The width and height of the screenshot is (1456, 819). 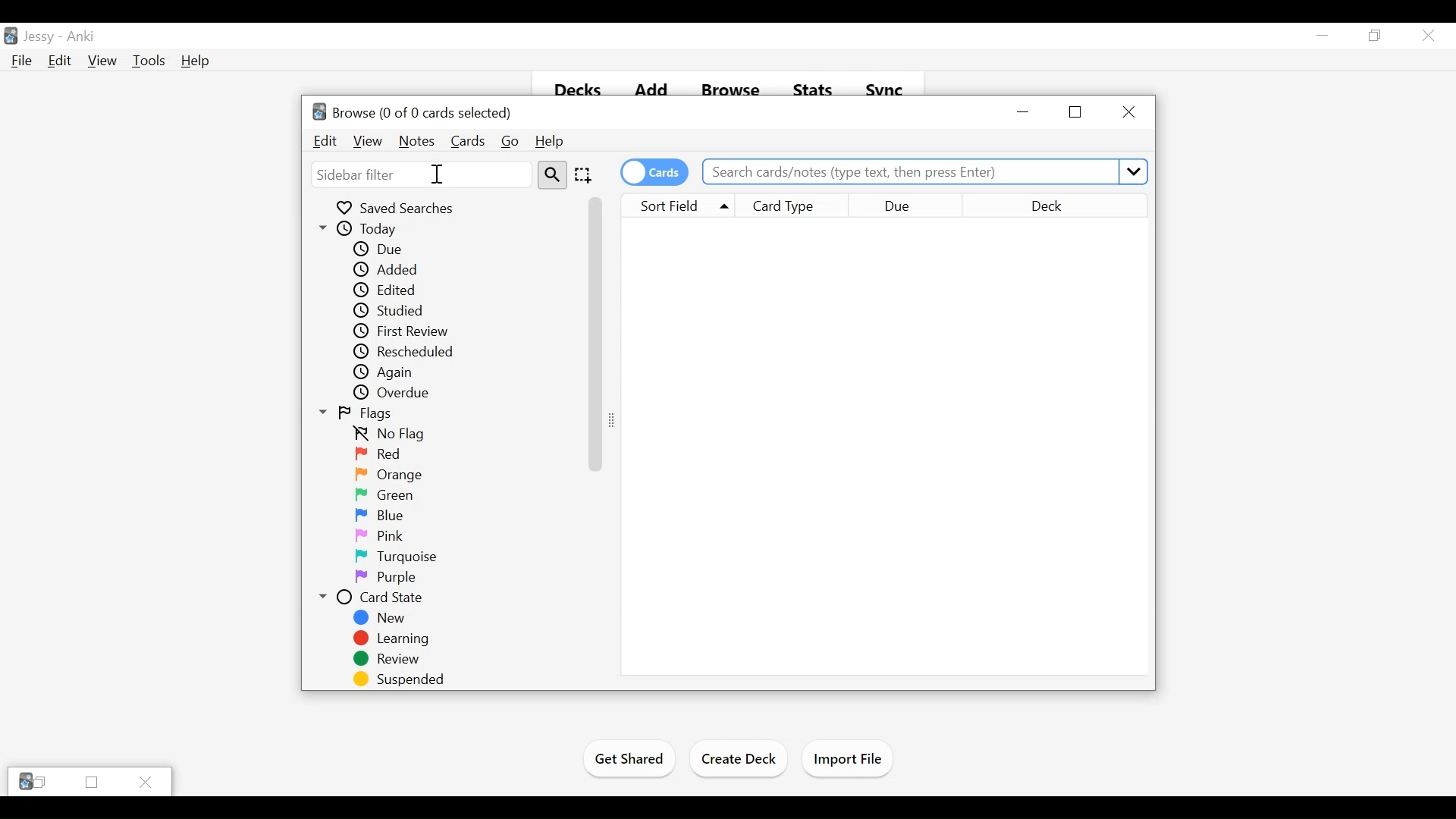 I want to click on Card State, so click(x=378, y=596).